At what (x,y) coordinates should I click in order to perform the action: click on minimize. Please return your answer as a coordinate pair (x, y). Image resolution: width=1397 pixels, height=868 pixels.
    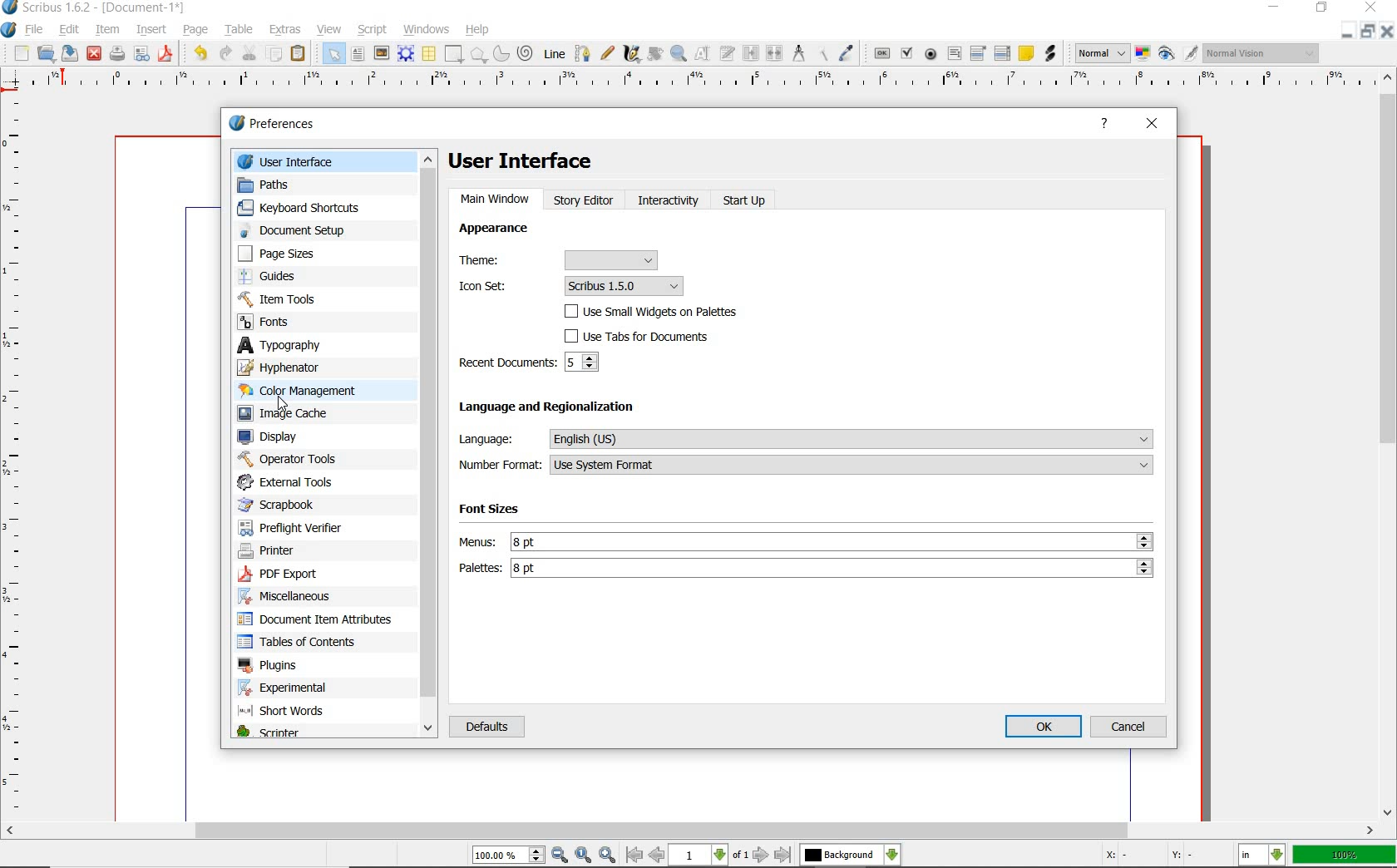
    Looking at the image, I should click on (1276, 8).